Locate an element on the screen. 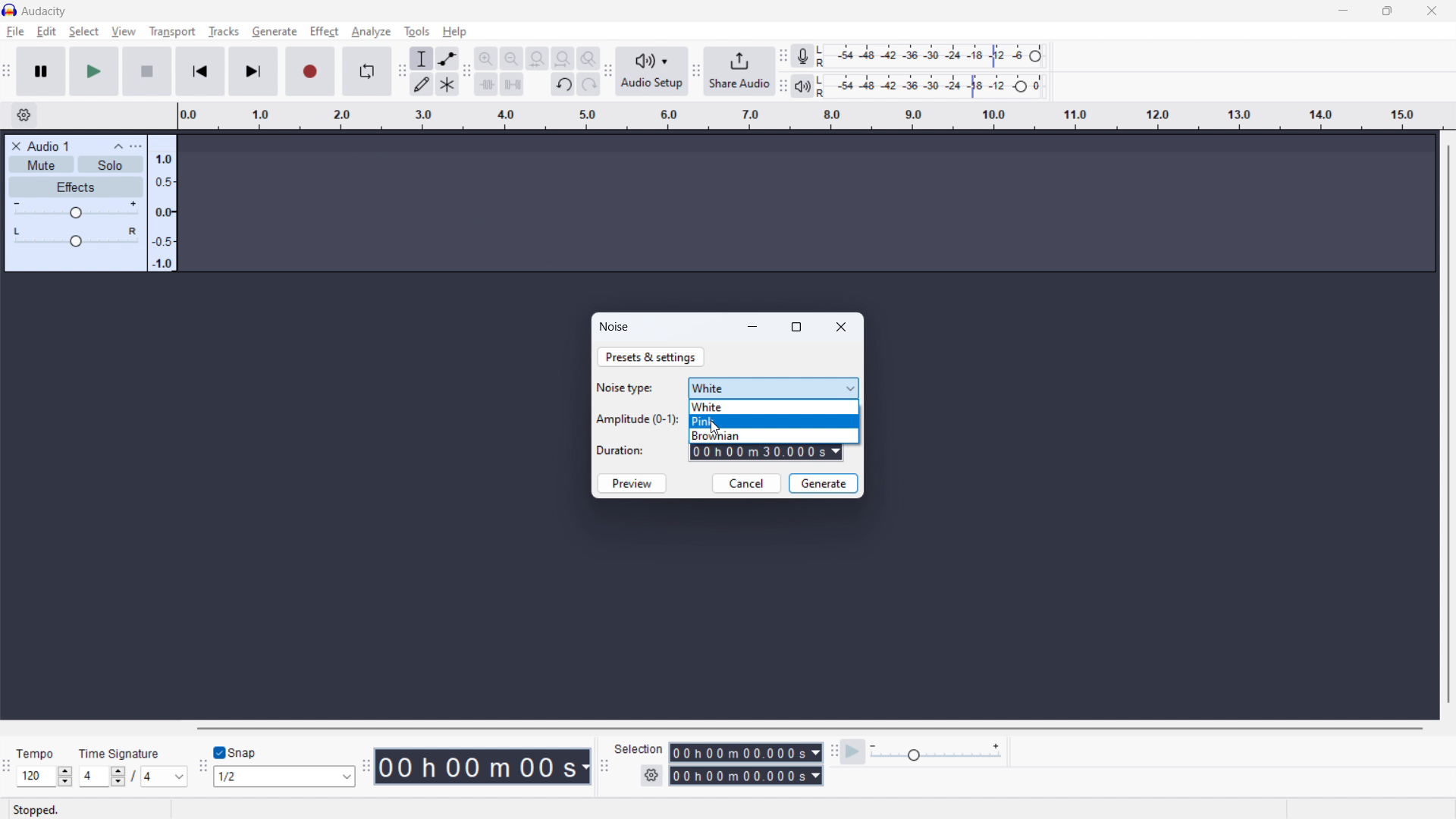 The image size is (1456, 819). select snapping is located at coordinates (286, 777).